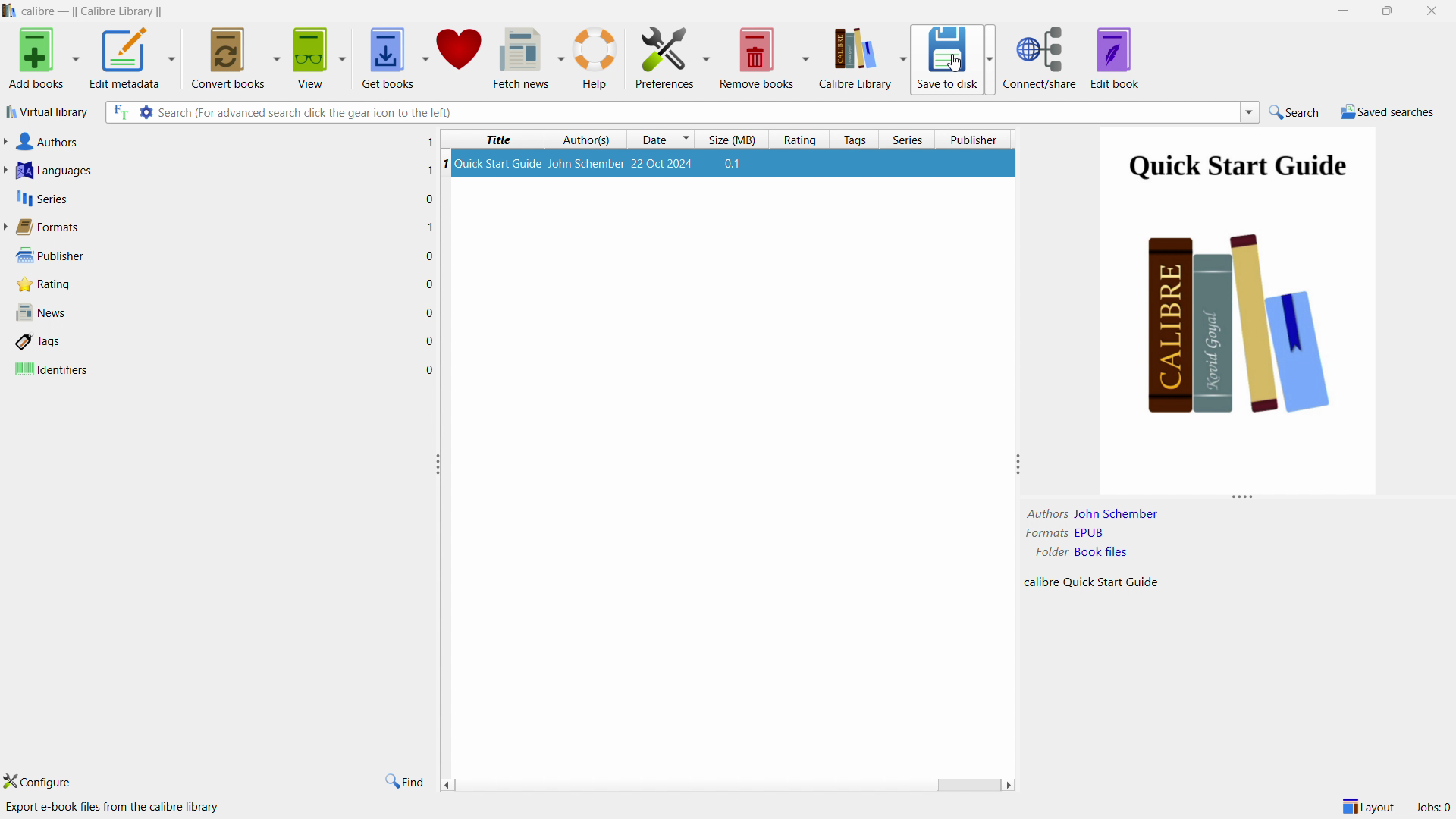  Describe the element at coordinates (1089, 533) in the screenshot. I see `EPUB` at that location.